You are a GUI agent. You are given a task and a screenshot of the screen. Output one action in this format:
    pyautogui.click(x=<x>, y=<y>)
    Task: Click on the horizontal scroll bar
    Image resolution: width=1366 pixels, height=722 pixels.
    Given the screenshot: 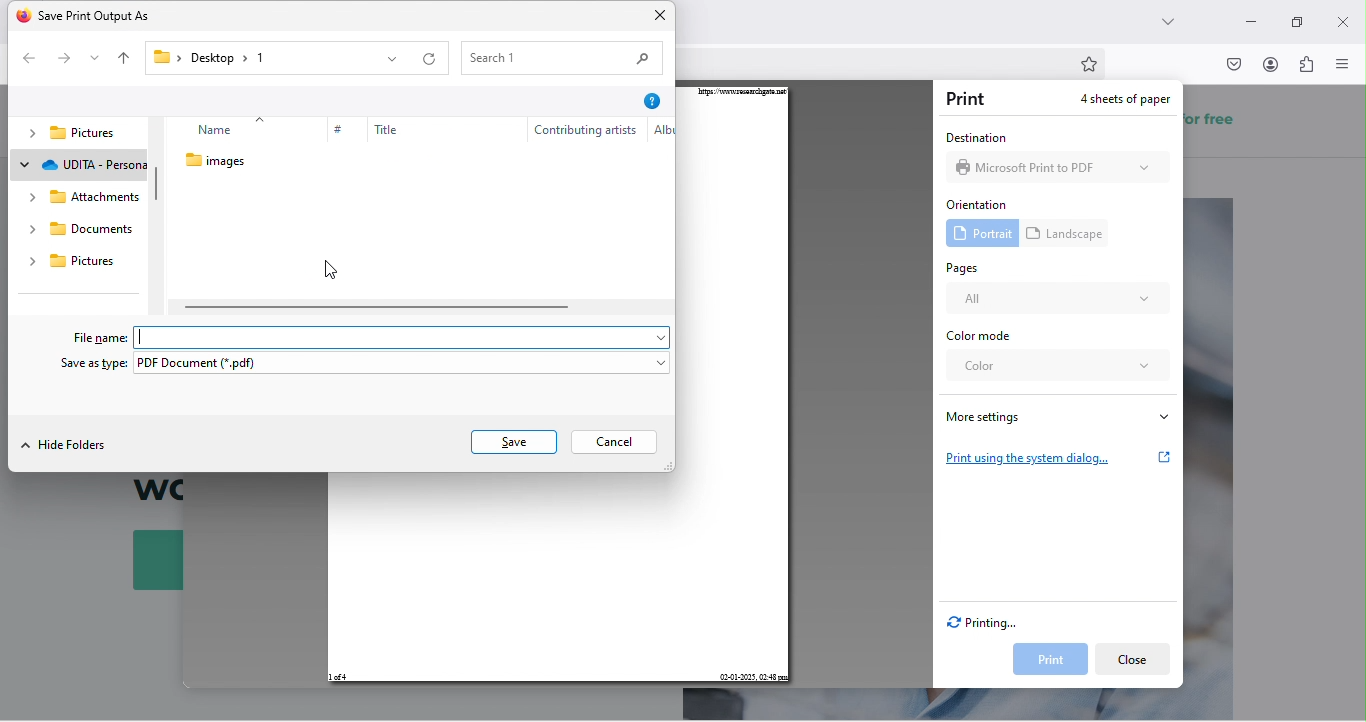 What is the action you would take?
    pyautogui.click(x=376, y=307)
    